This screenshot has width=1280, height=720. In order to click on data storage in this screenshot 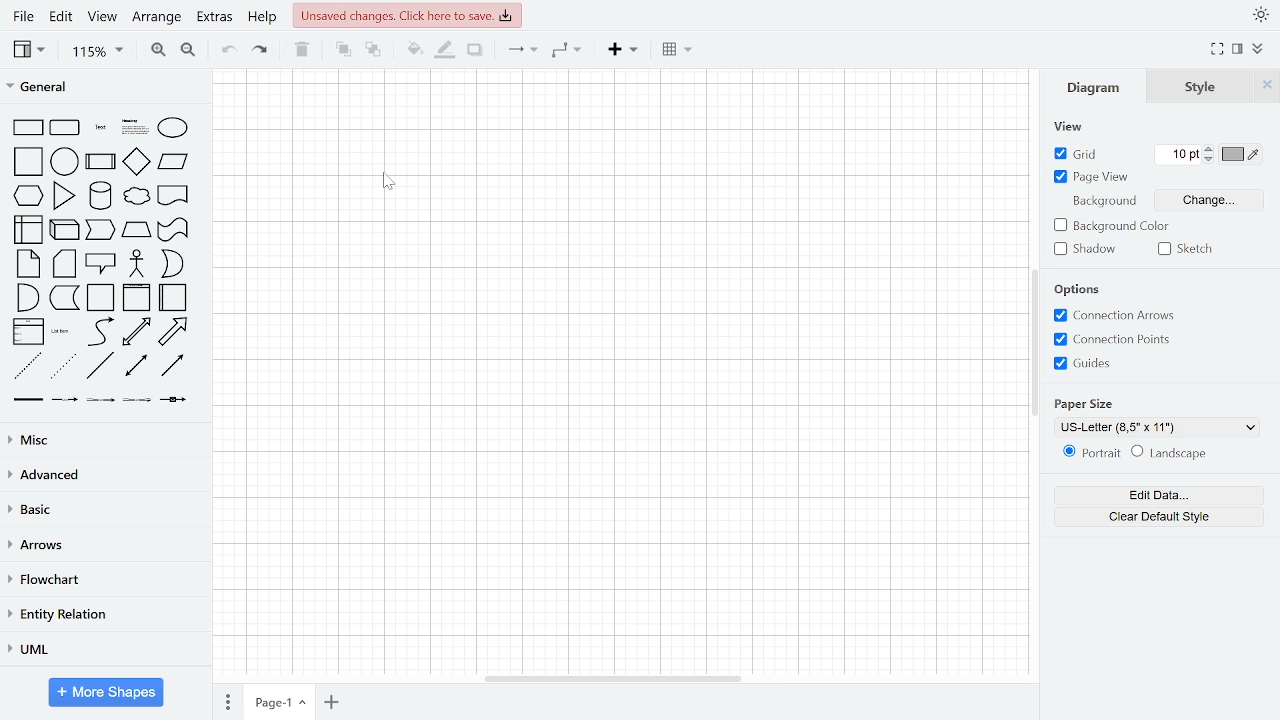, I will do `click(64, 298)`.